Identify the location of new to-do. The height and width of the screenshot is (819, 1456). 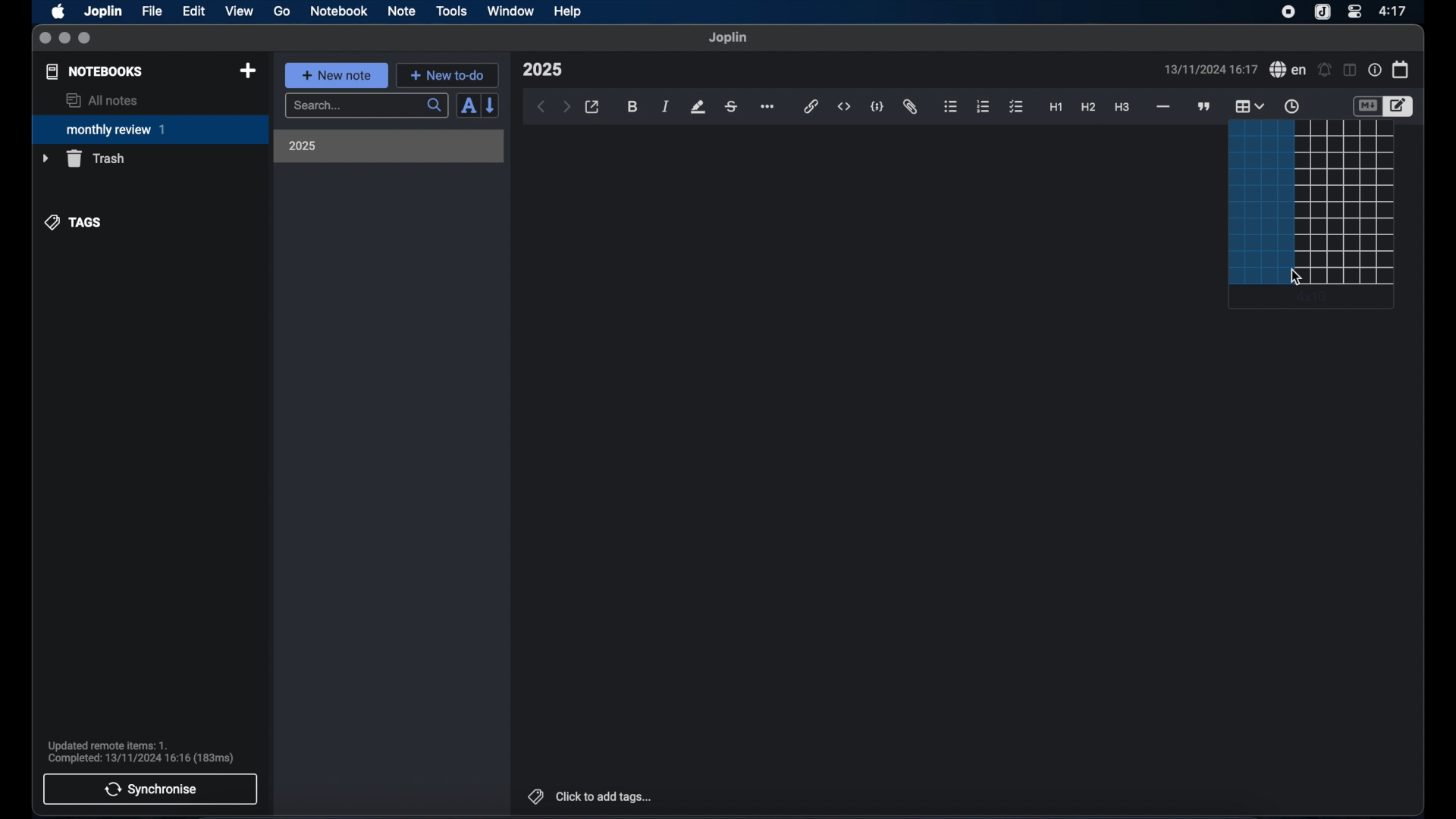
(448, 75).